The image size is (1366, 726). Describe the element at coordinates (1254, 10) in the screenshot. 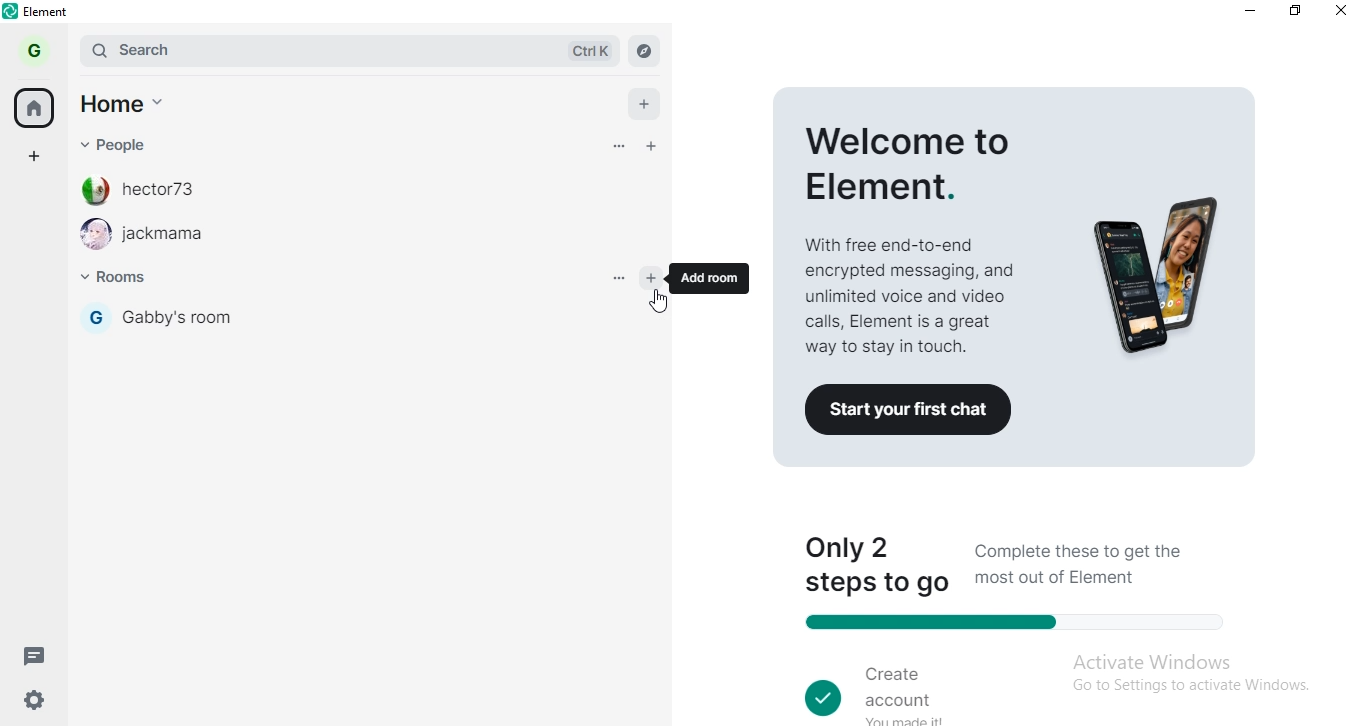

I see `minimise` at that location.